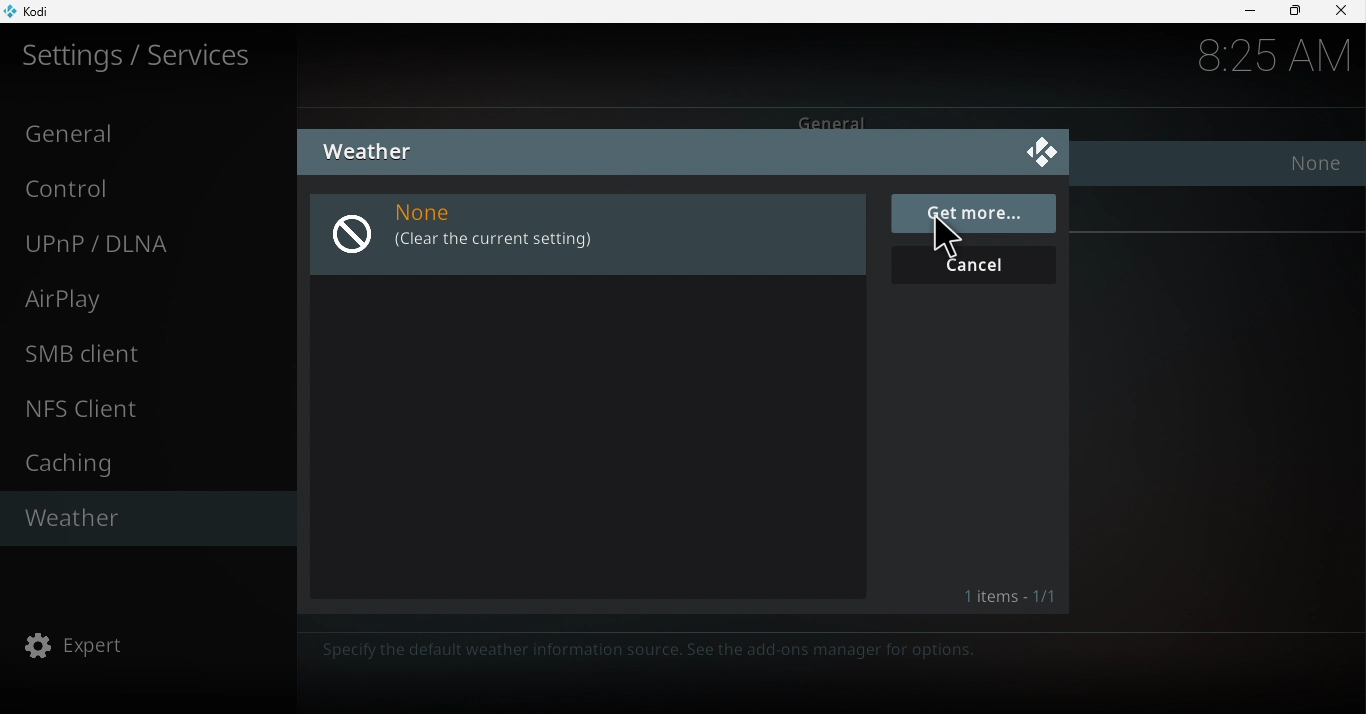 This screenshot has width=1366, height=714. What do you see at coordinates (945, 235) in the screenshot?
I see `cursor` at bounding box center [945, 235].